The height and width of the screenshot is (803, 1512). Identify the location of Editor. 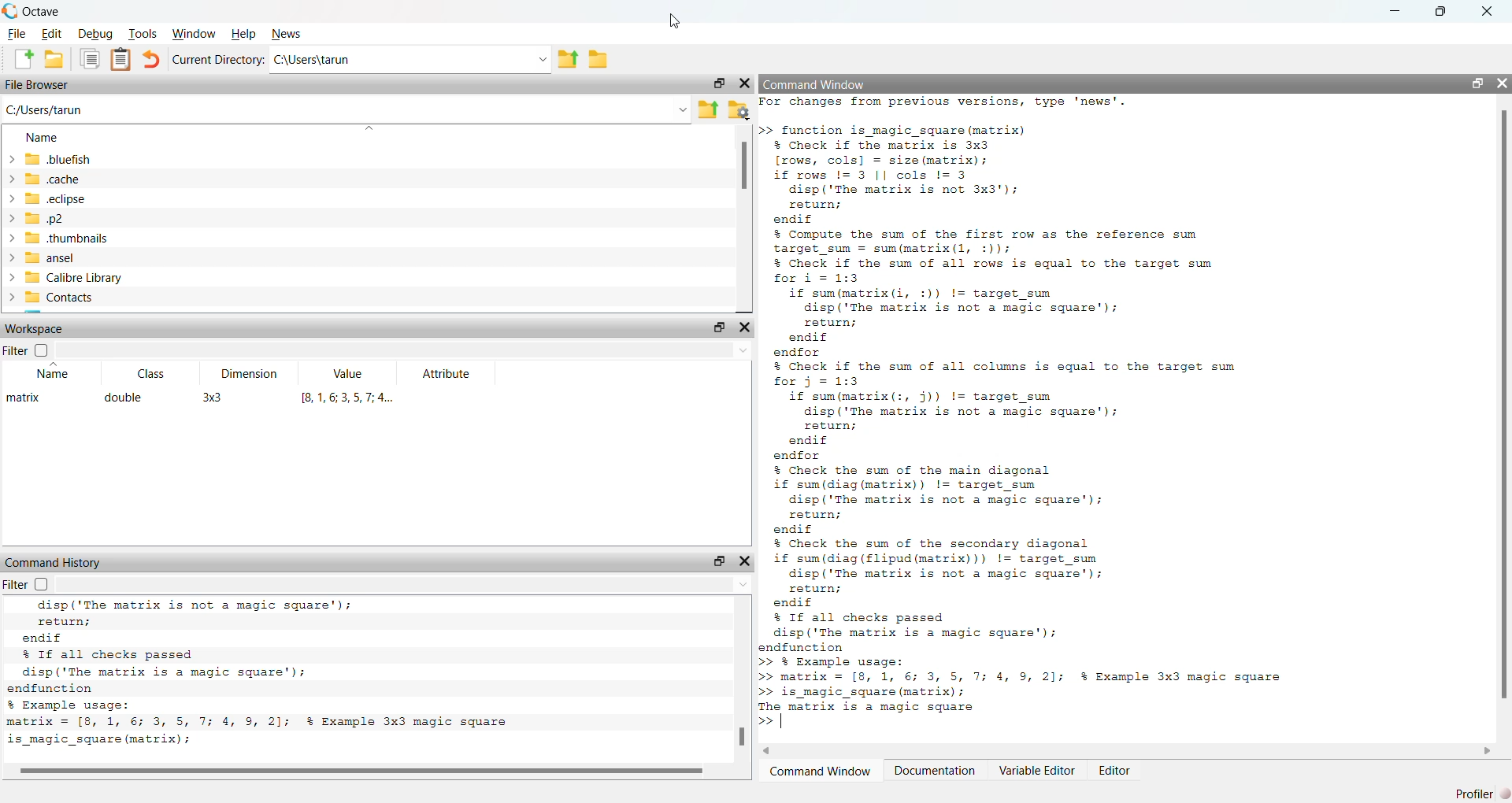
(1116, 770).